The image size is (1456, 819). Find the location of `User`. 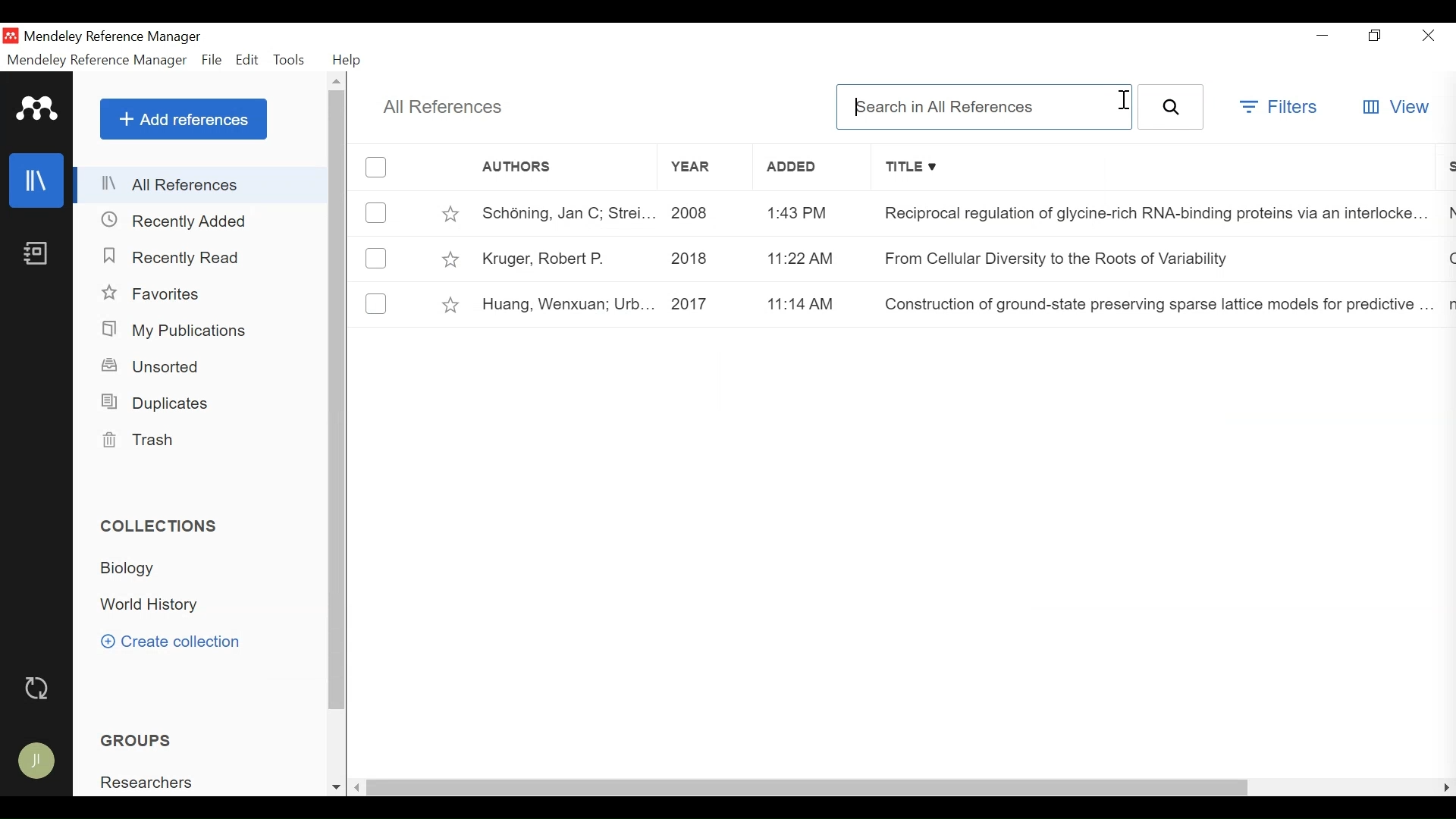

User is located at coordinates (37, 762).